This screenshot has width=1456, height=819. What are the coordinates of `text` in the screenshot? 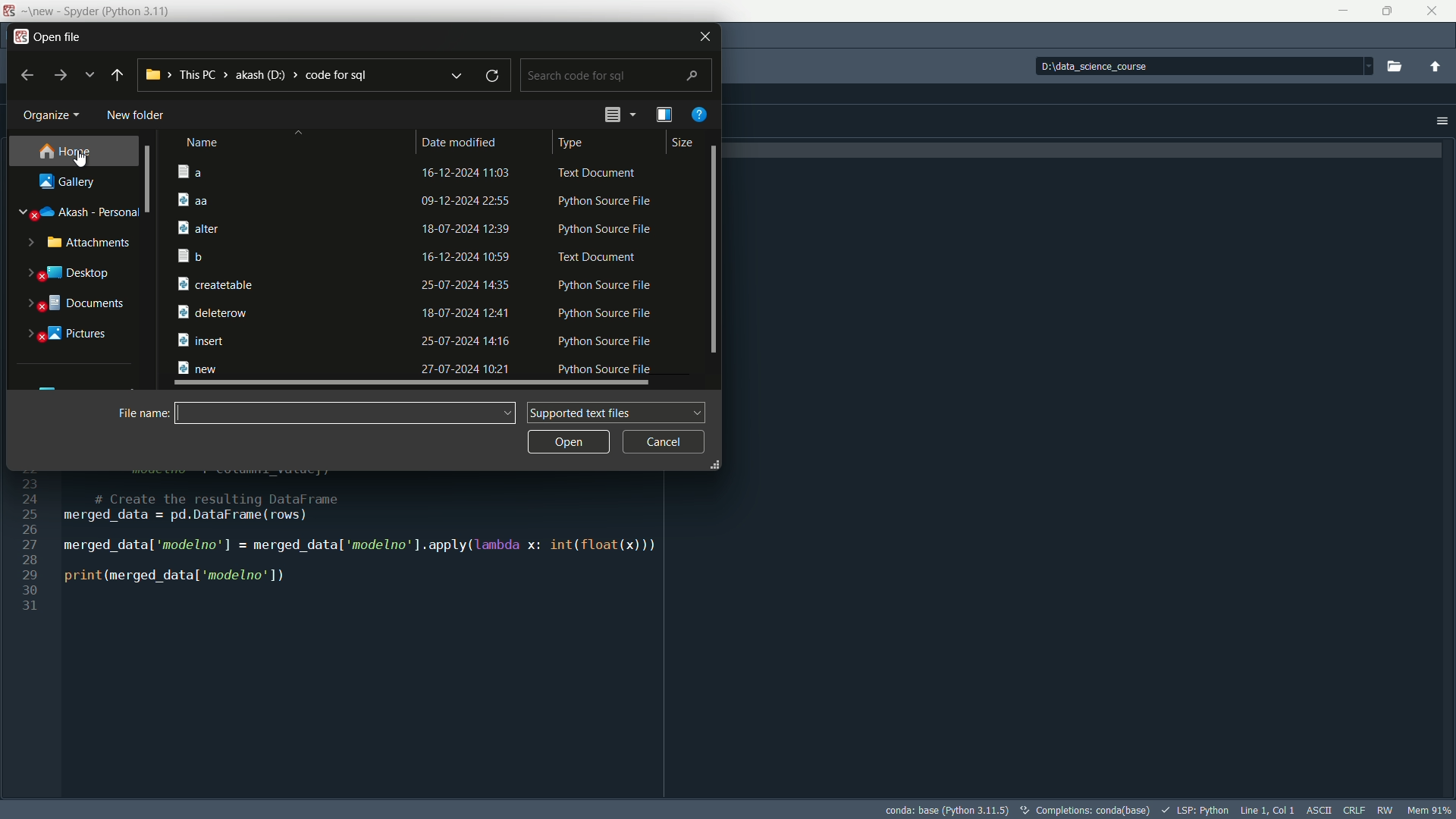 It's located at (1085, 810).